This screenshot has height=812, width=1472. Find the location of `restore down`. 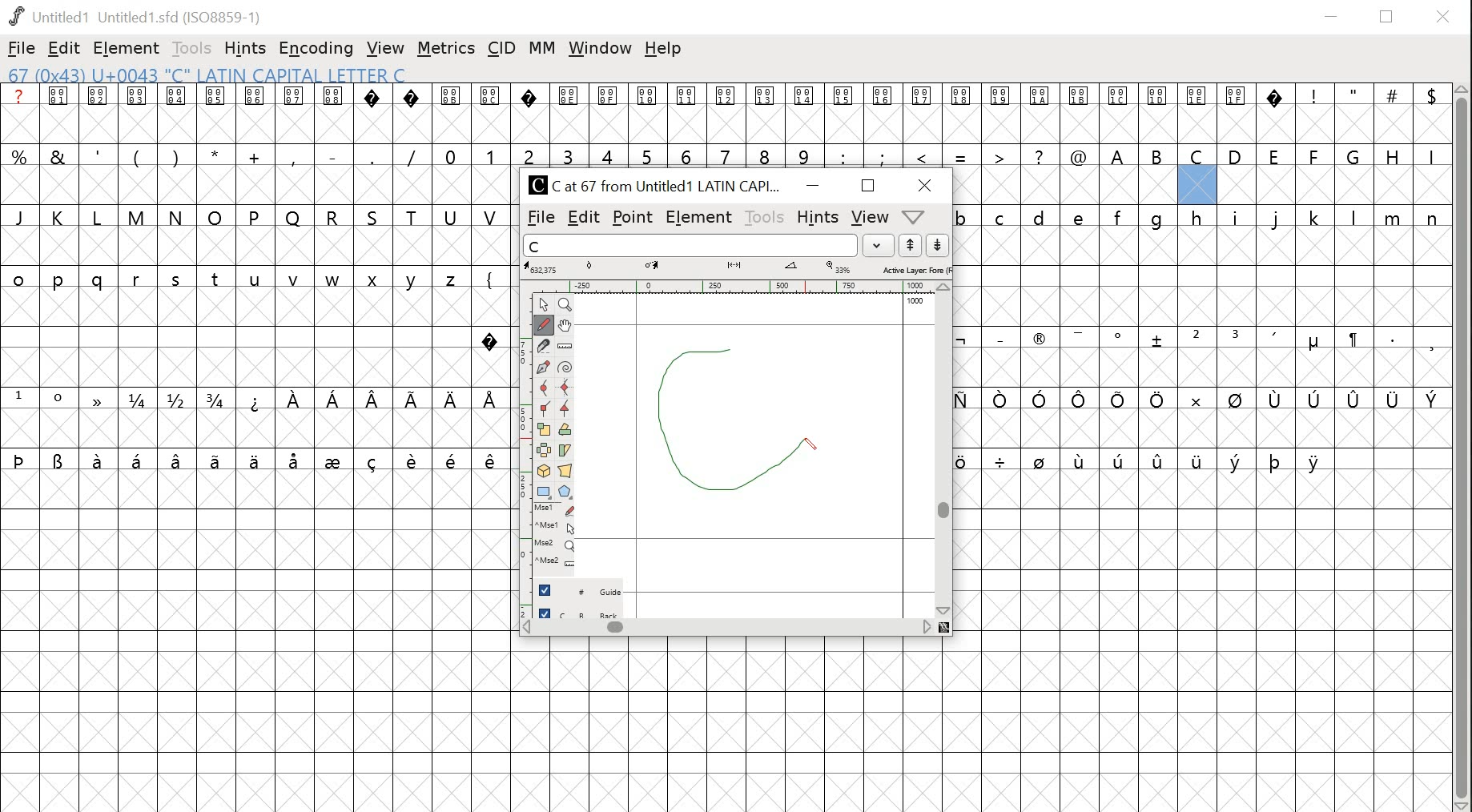

restore down is located at coordinates (1388, 16).